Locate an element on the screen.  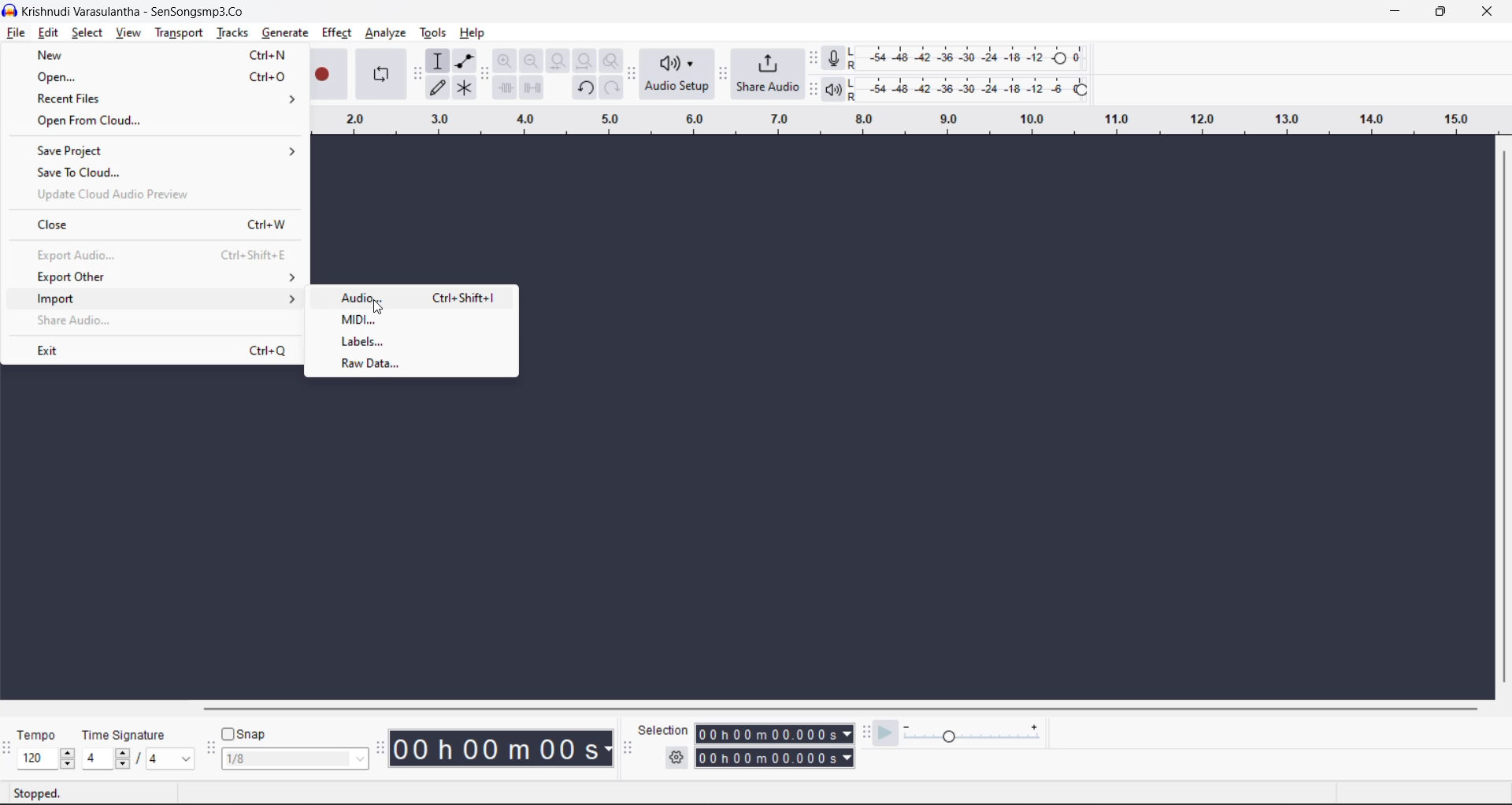
labels is located at coordinates (417, 342).